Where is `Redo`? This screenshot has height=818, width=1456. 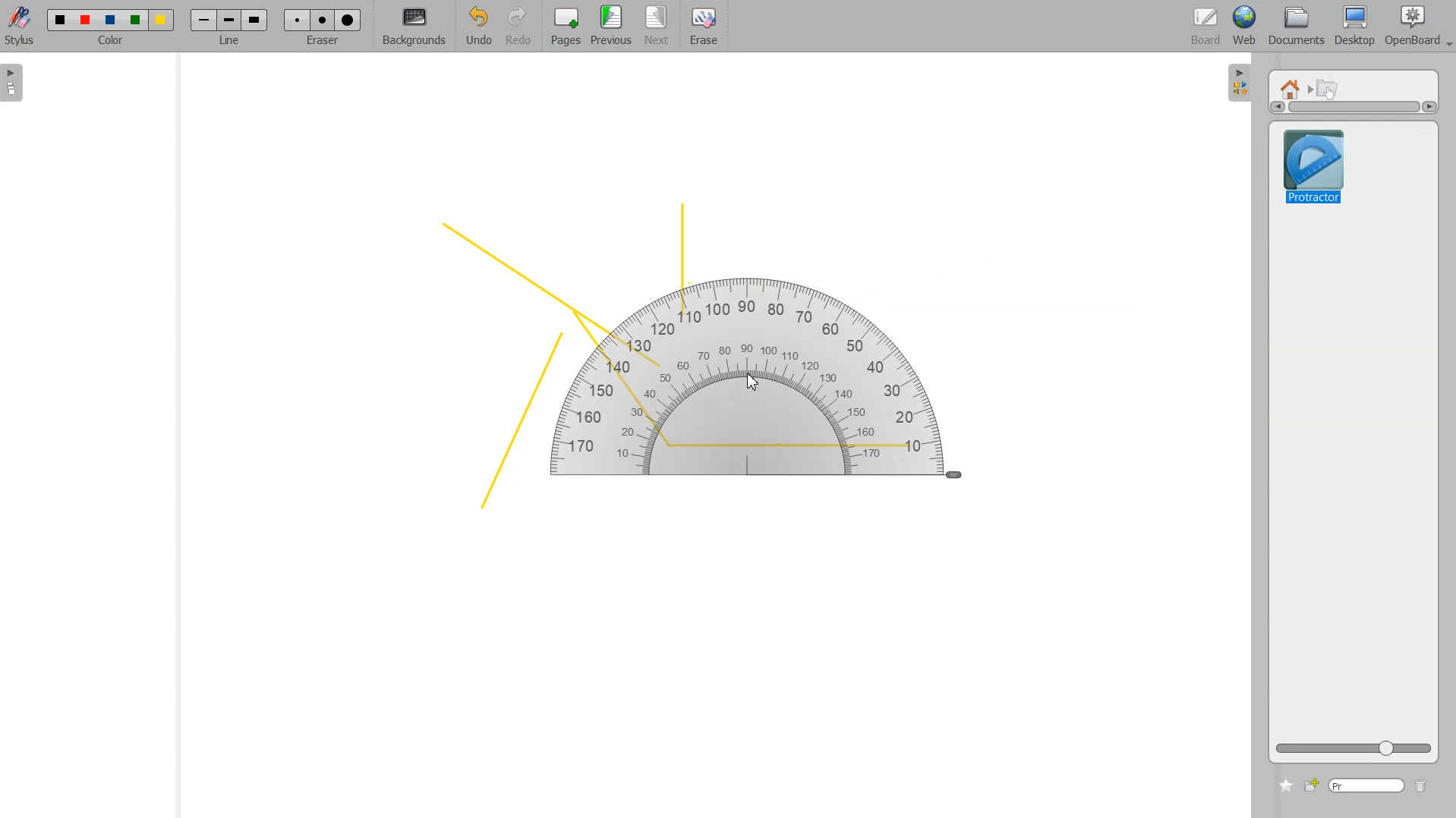
Redo is located at coordinates (518, 27).